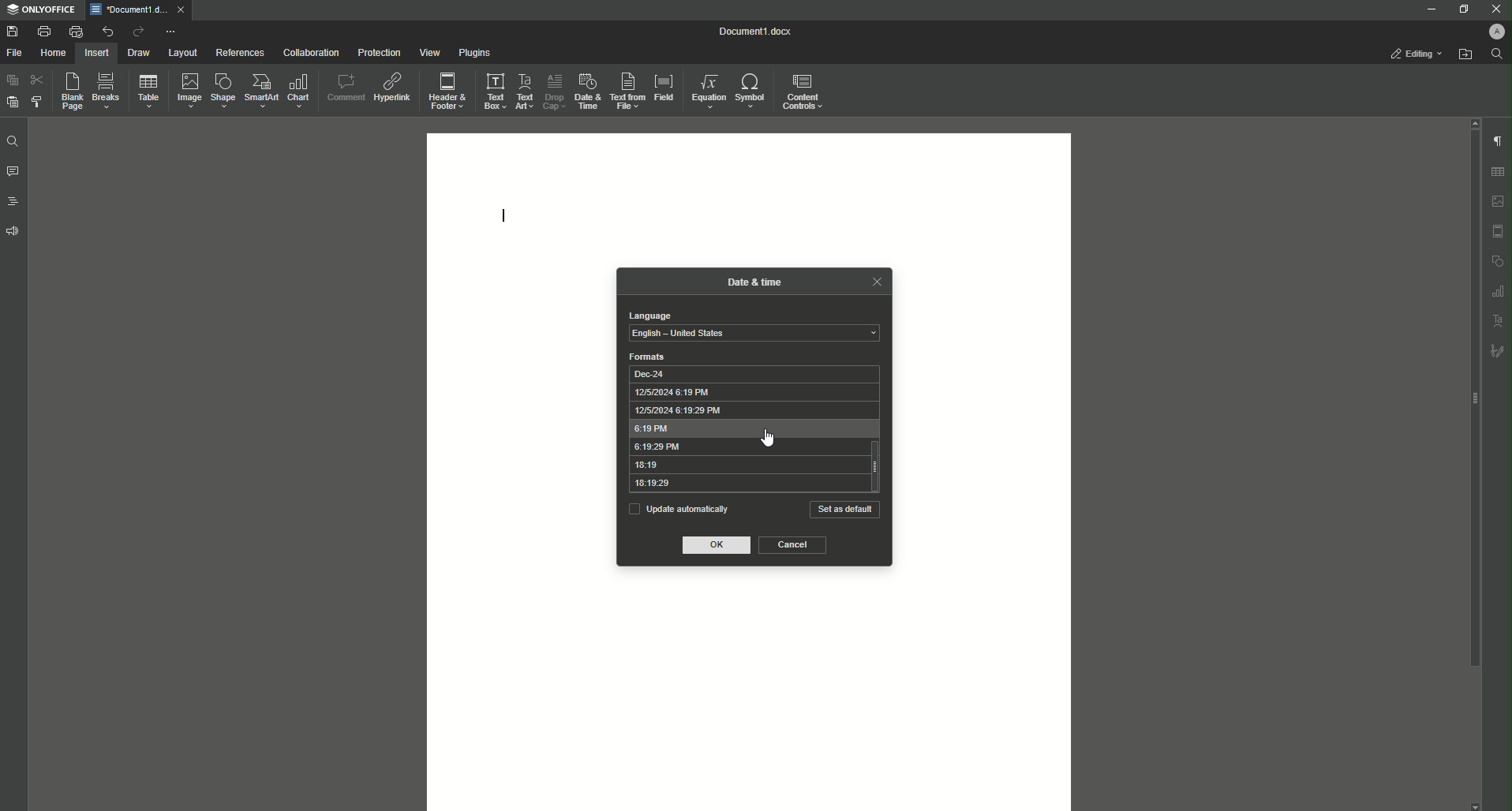  What do you see at coordinates (718, 546) in the screenshot?
I see `OK` at bounding box center [718, 546].